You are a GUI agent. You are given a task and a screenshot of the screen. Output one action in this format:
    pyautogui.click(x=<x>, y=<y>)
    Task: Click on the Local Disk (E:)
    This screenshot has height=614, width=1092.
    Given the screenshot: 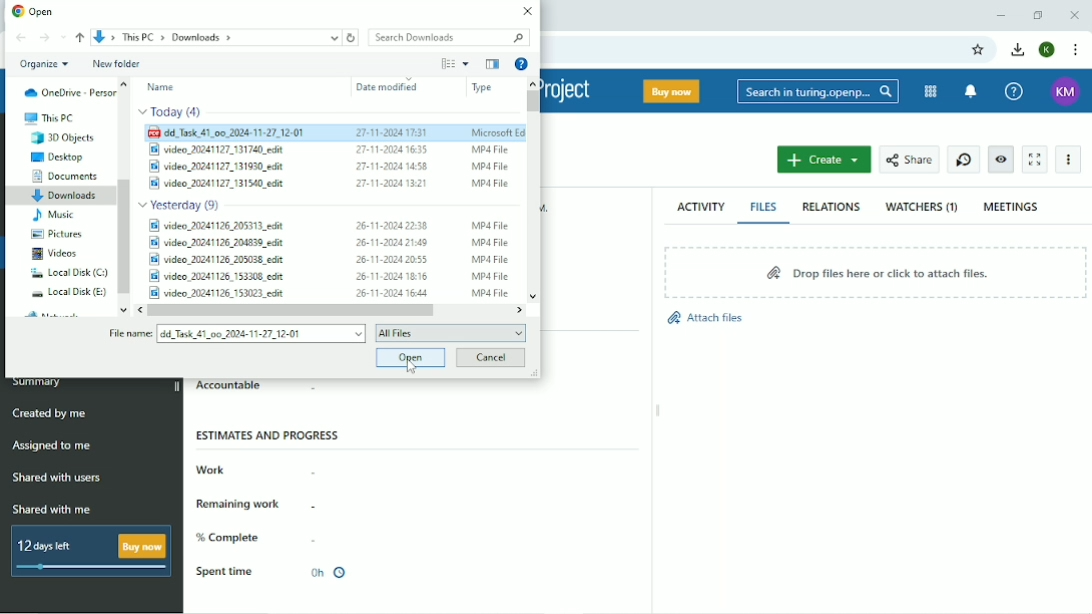 What is the action you would take?
    pyautogui.click(x=70, y=292)
    